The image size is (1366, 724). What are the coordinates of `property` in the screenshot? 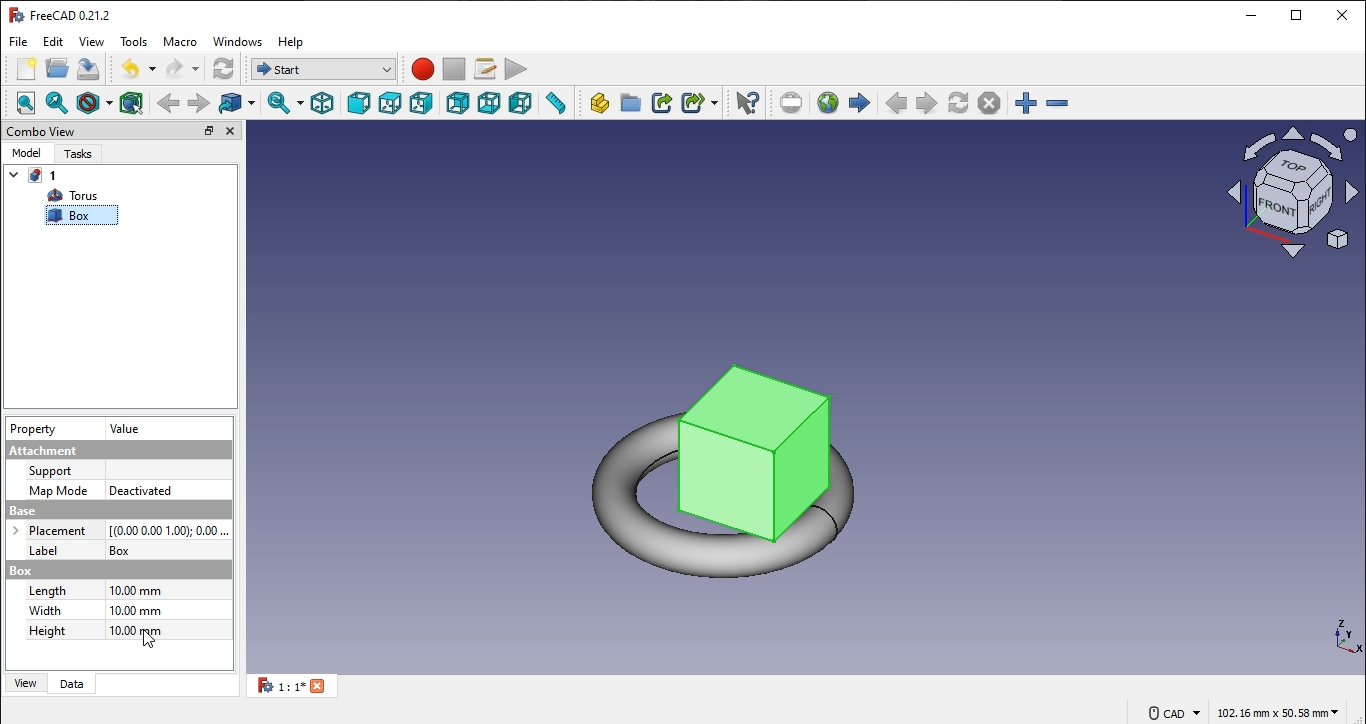 It's located at (34, 431).